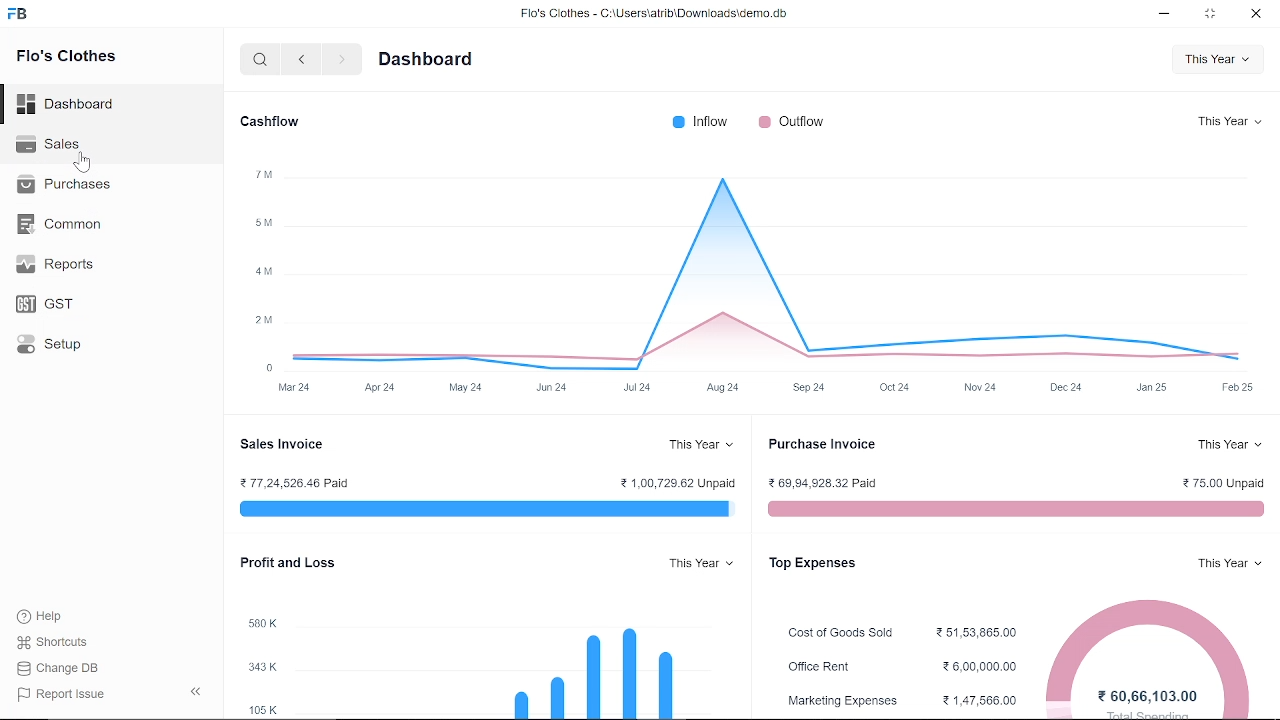  What do you see at coordinates (1166, 16) in the screenshot?
I see `minimize` at bounding box center [1166, 16].